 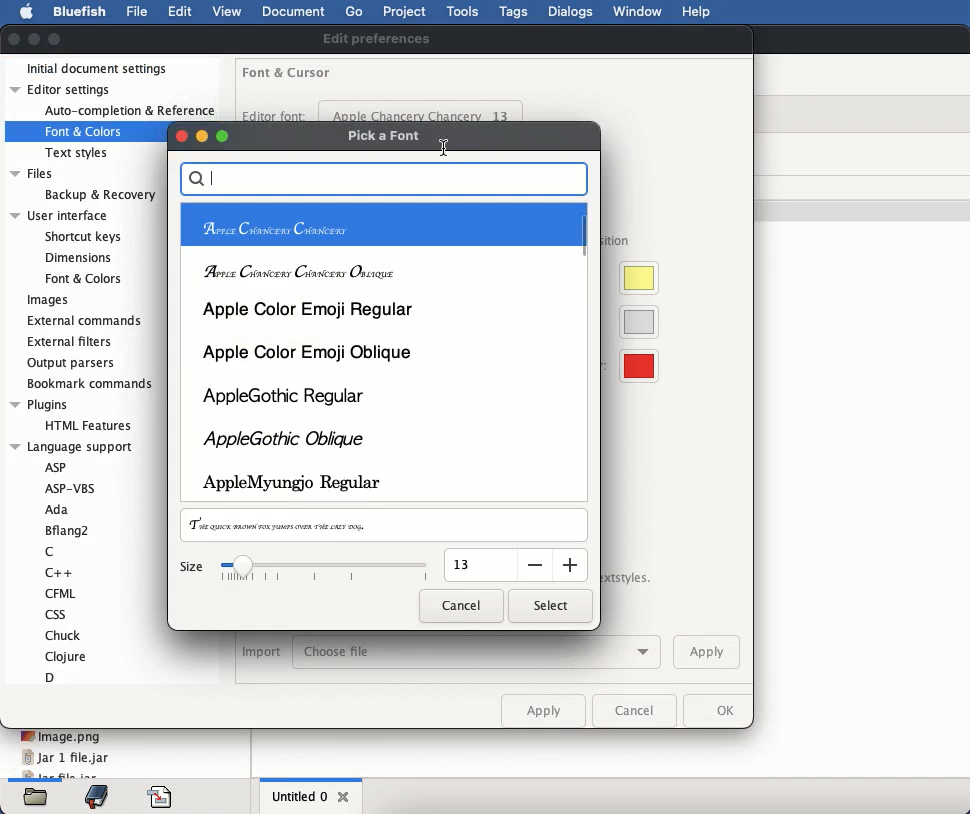 I want to click on select, so click(x=549, y=603).